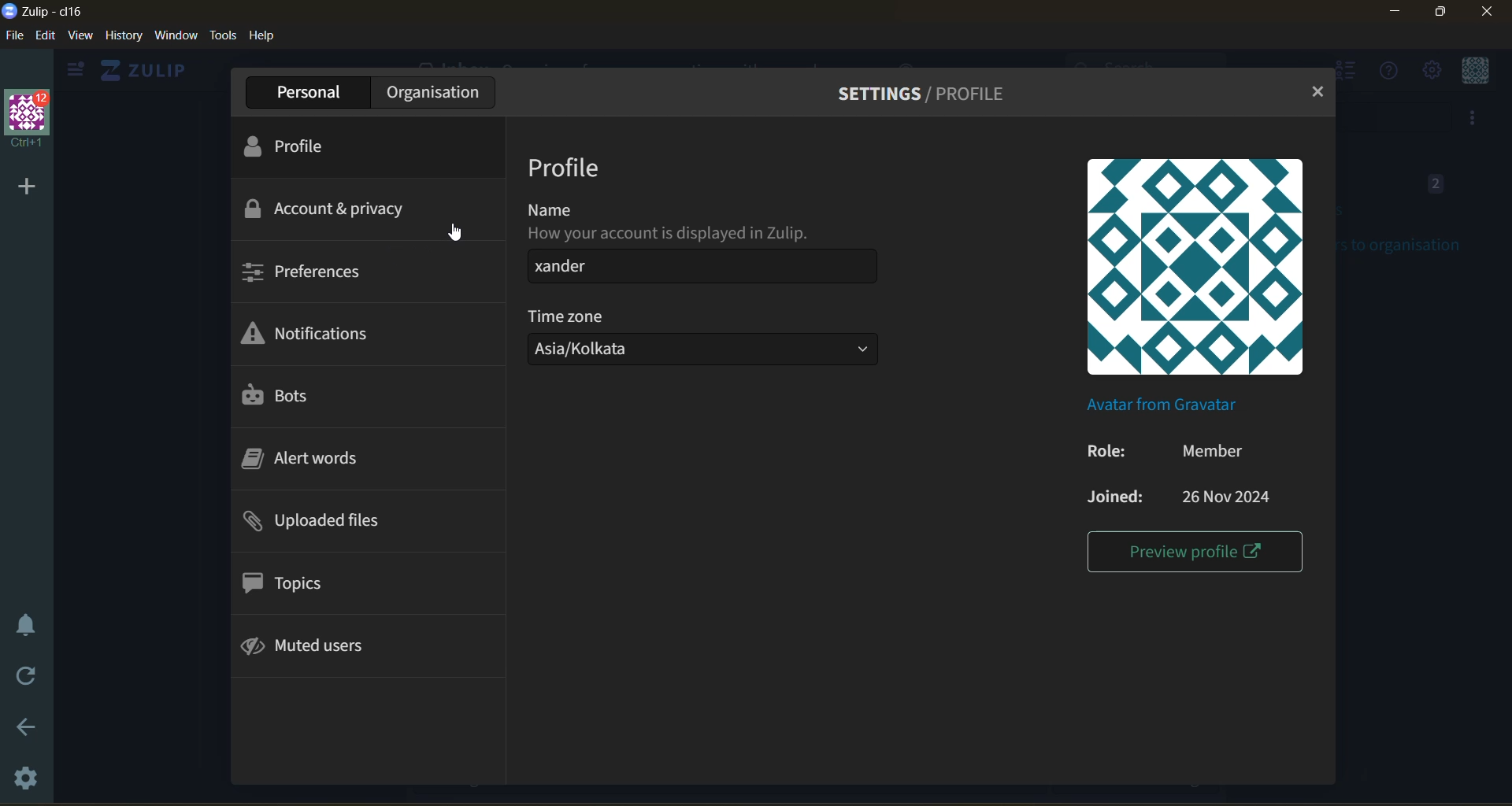 This screenshot has height=806, width=1512. Describe the element at coordinates (566, 172) in the screenshot. I see `profile` at that location.